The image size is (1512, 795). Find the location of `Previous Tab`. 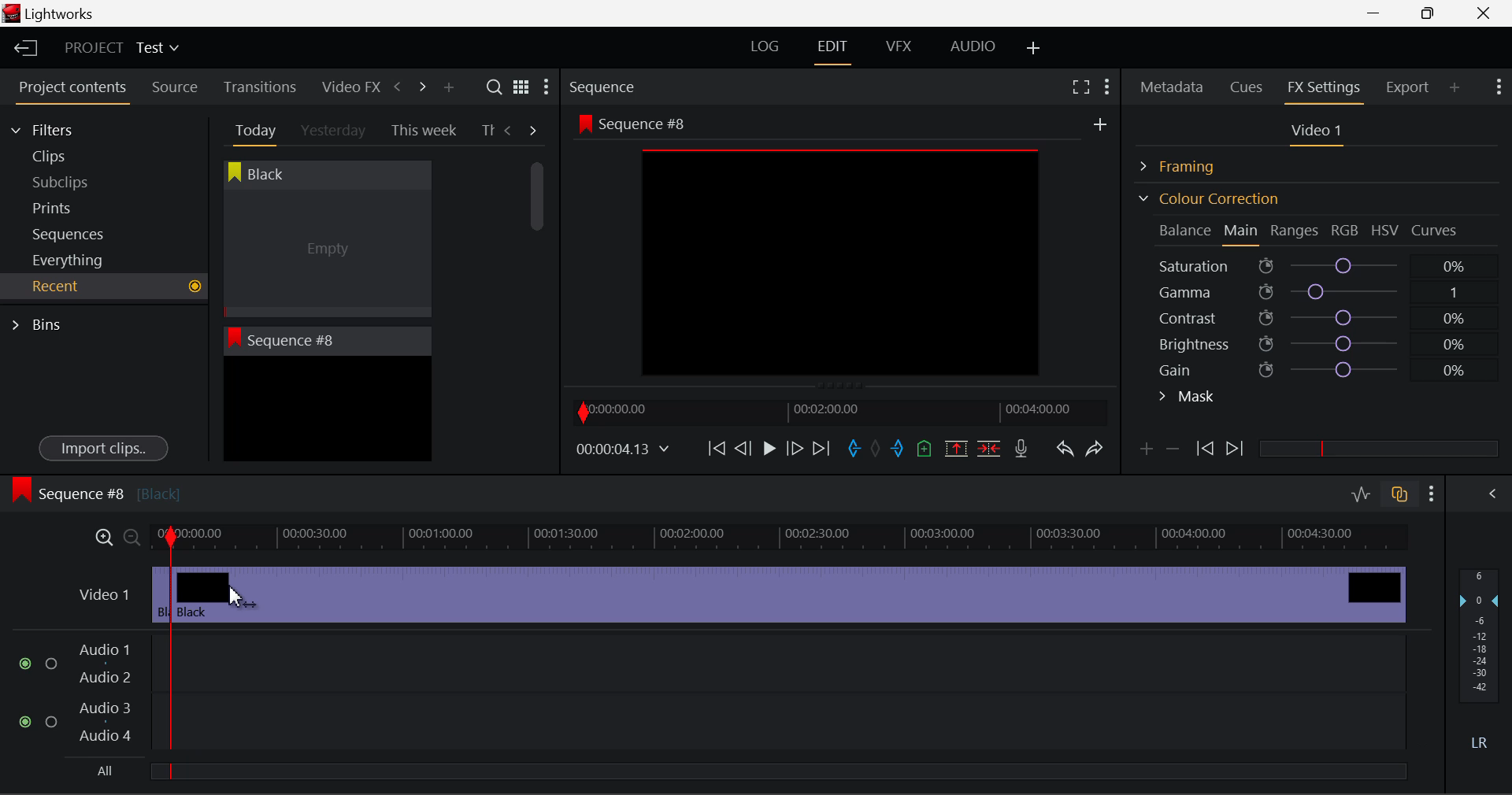

Previous Tab is located at coordinates (510, 130).